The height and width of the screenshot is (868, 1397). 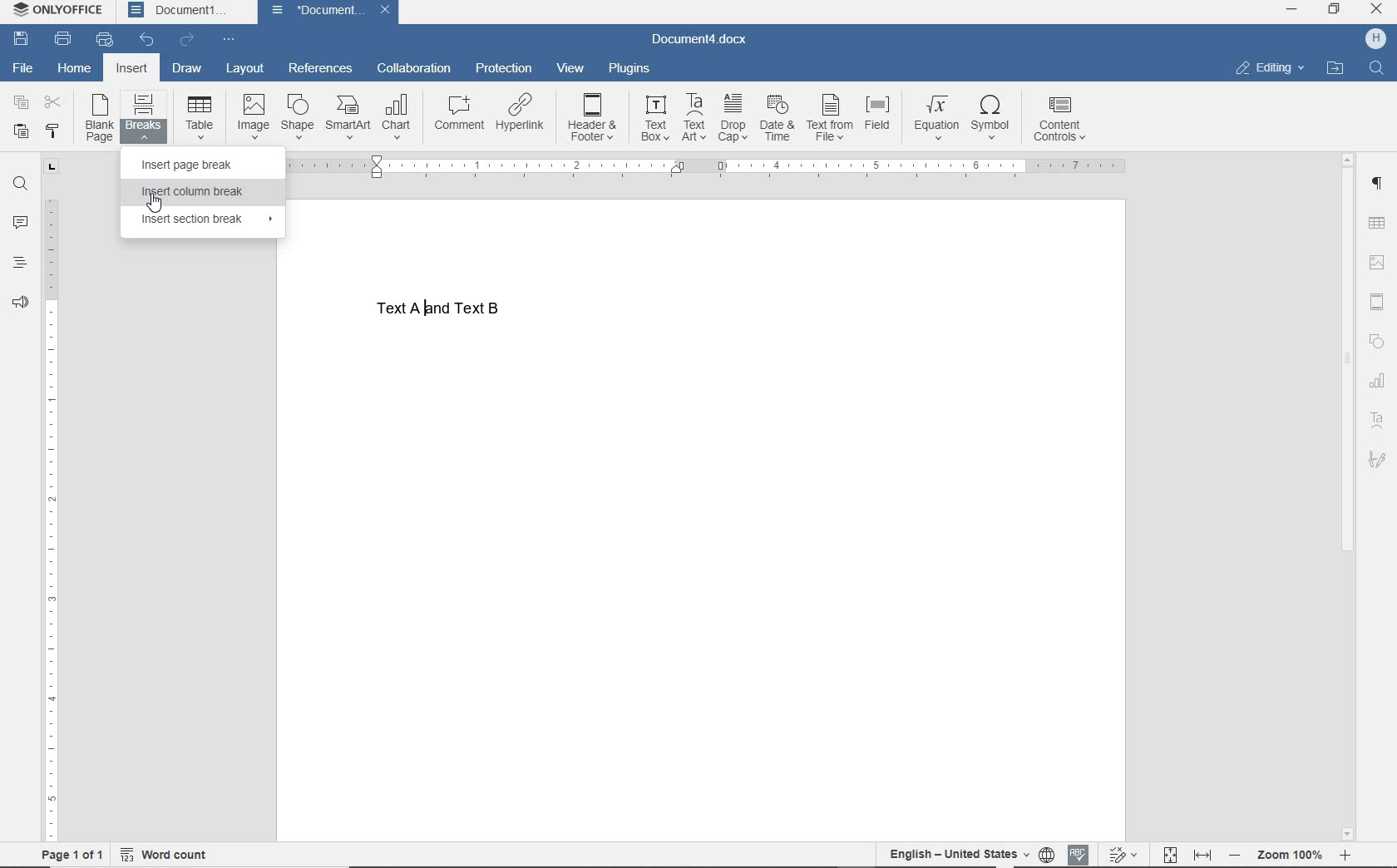 I want to click on COMMENTS, so click(x=21, y=220).